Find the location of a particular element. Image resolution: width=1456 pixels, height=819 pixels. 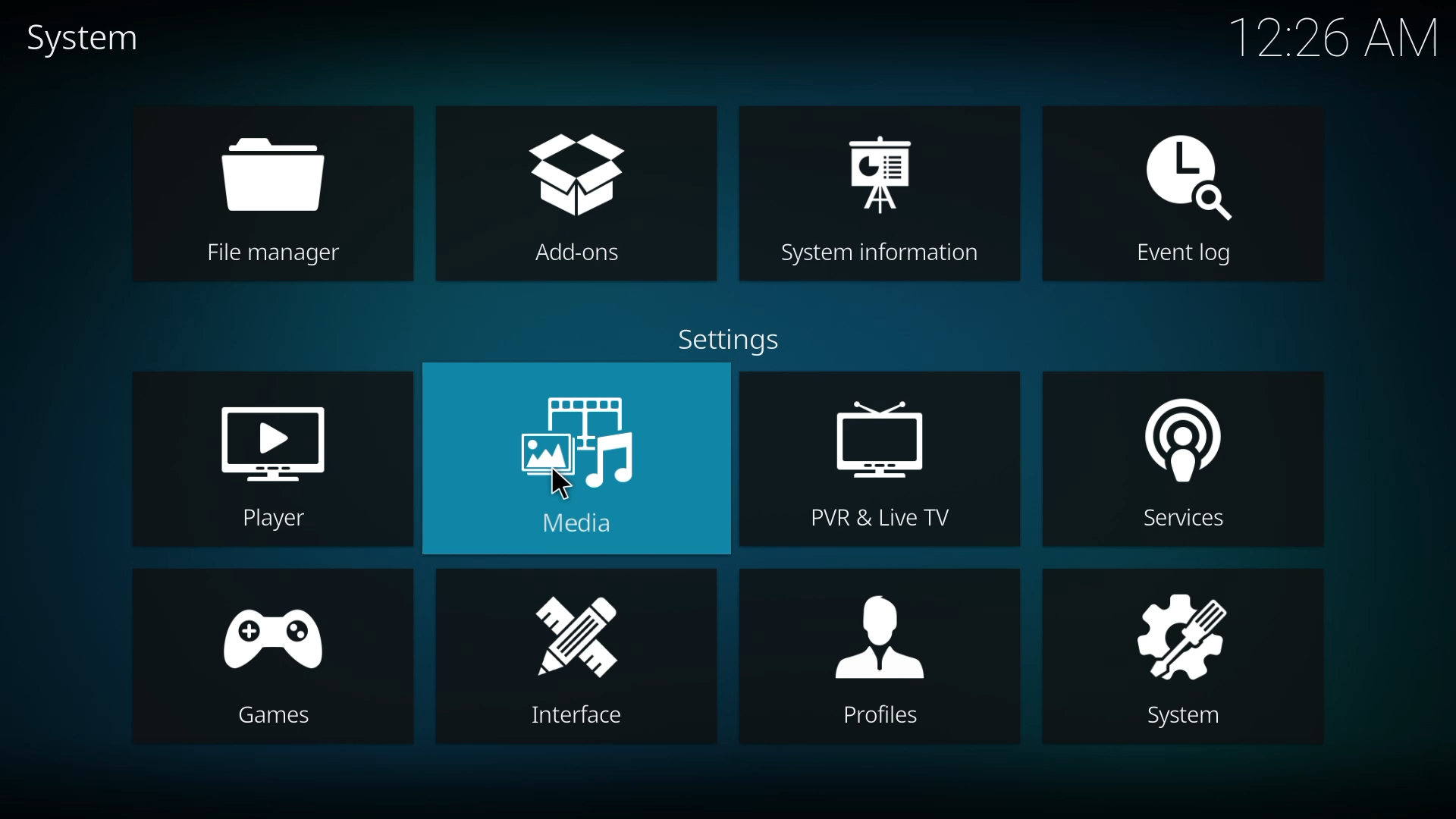

system is located at coordinates (92, 39).